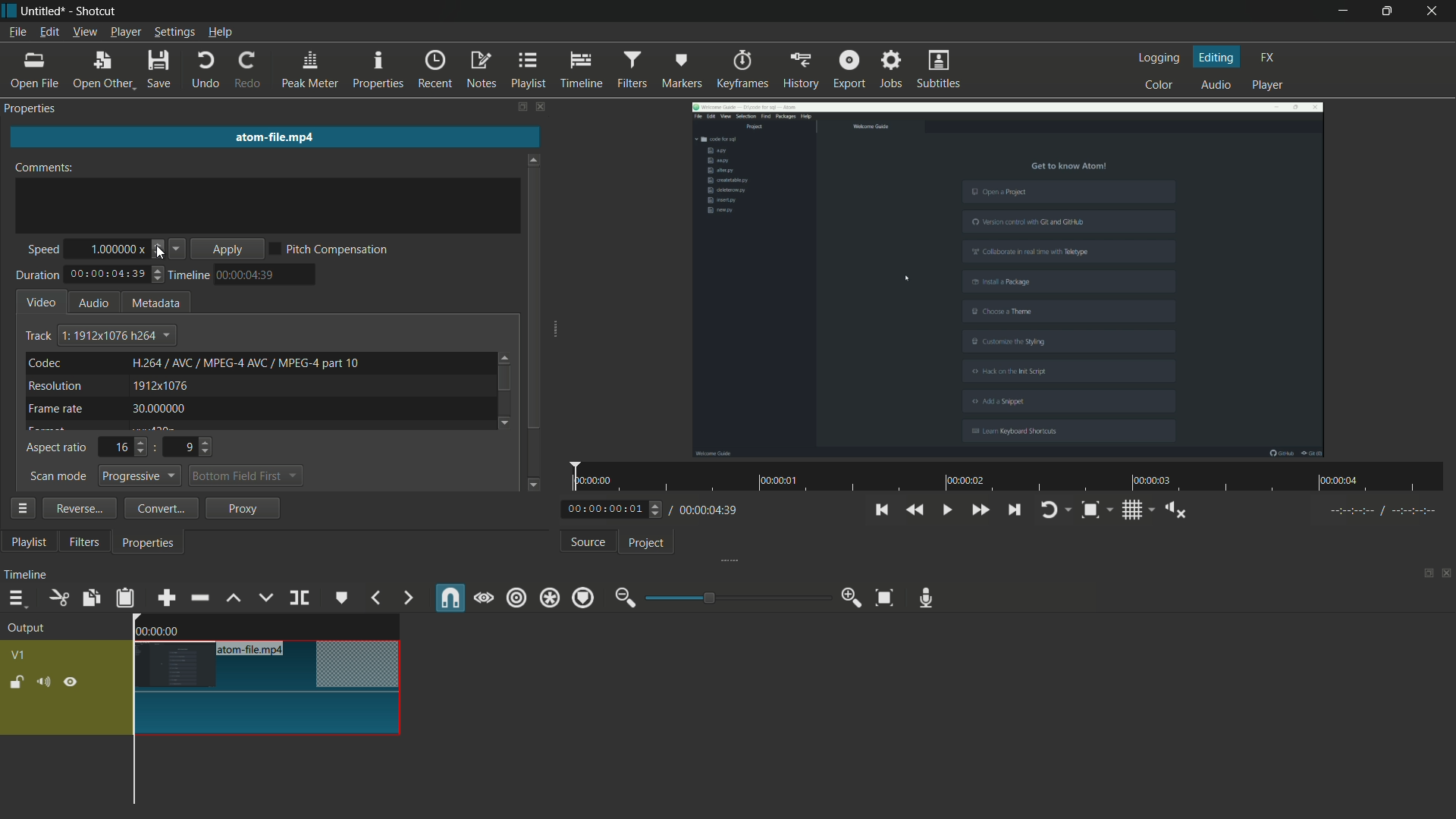  What do you see at coordinates (849, 69) in the screenshot?
I see `export` at bounding box center [849, 69].